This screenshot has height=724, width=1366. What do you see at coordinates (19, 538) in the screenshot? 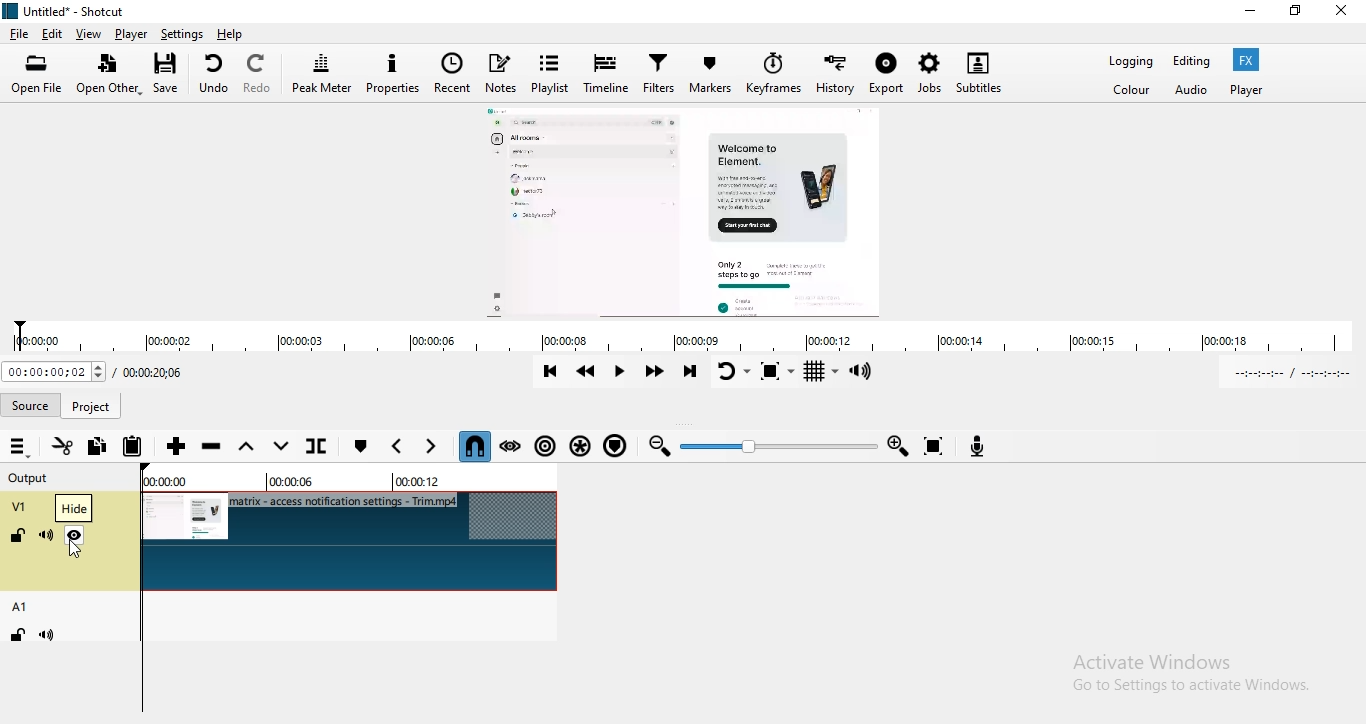
I see `Lock` at bounding box center [19, 538].